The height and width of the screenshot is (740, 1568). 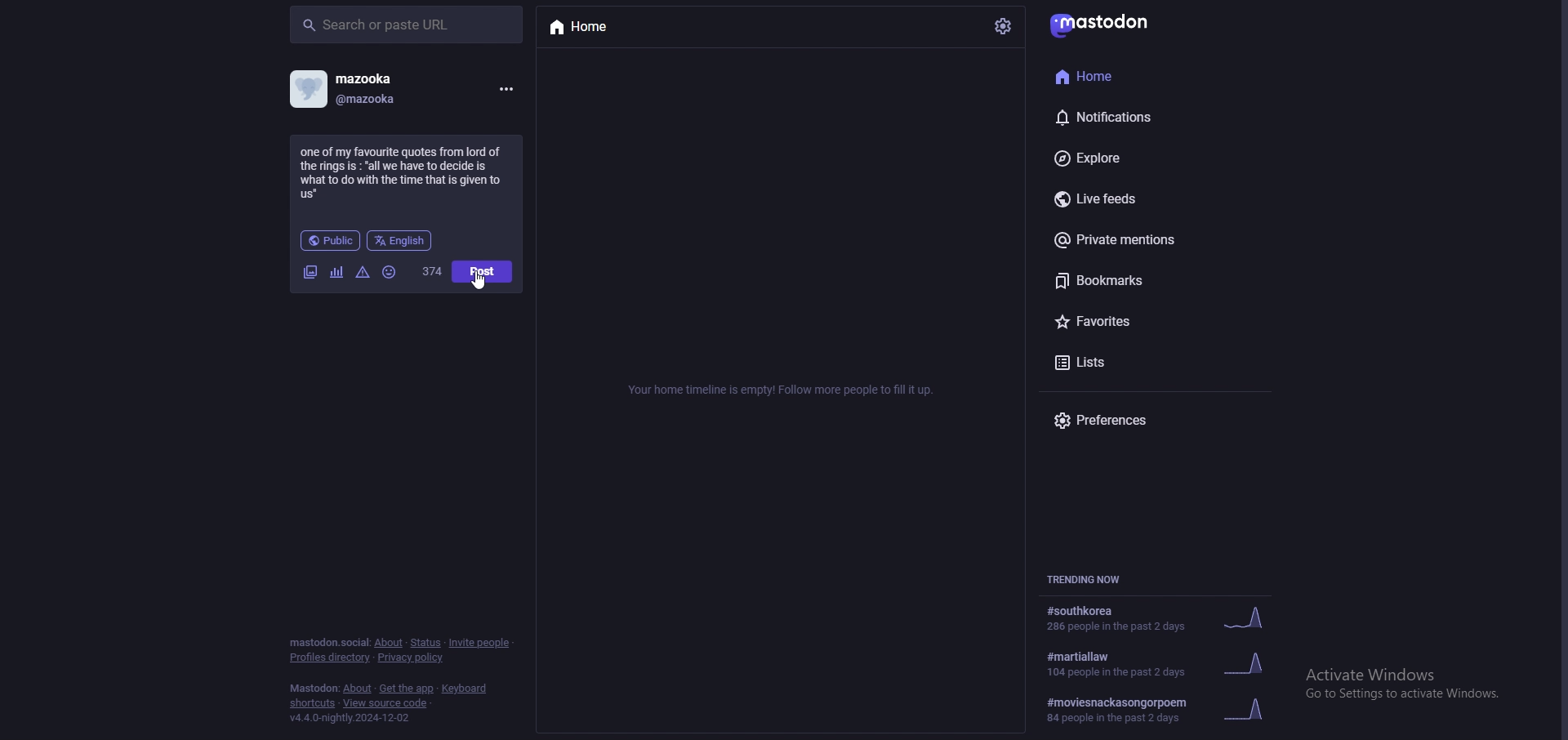 What do you see at coordinates (385, 703) in the screenshot?
I see `view source code` at bounding box center [385, 703].